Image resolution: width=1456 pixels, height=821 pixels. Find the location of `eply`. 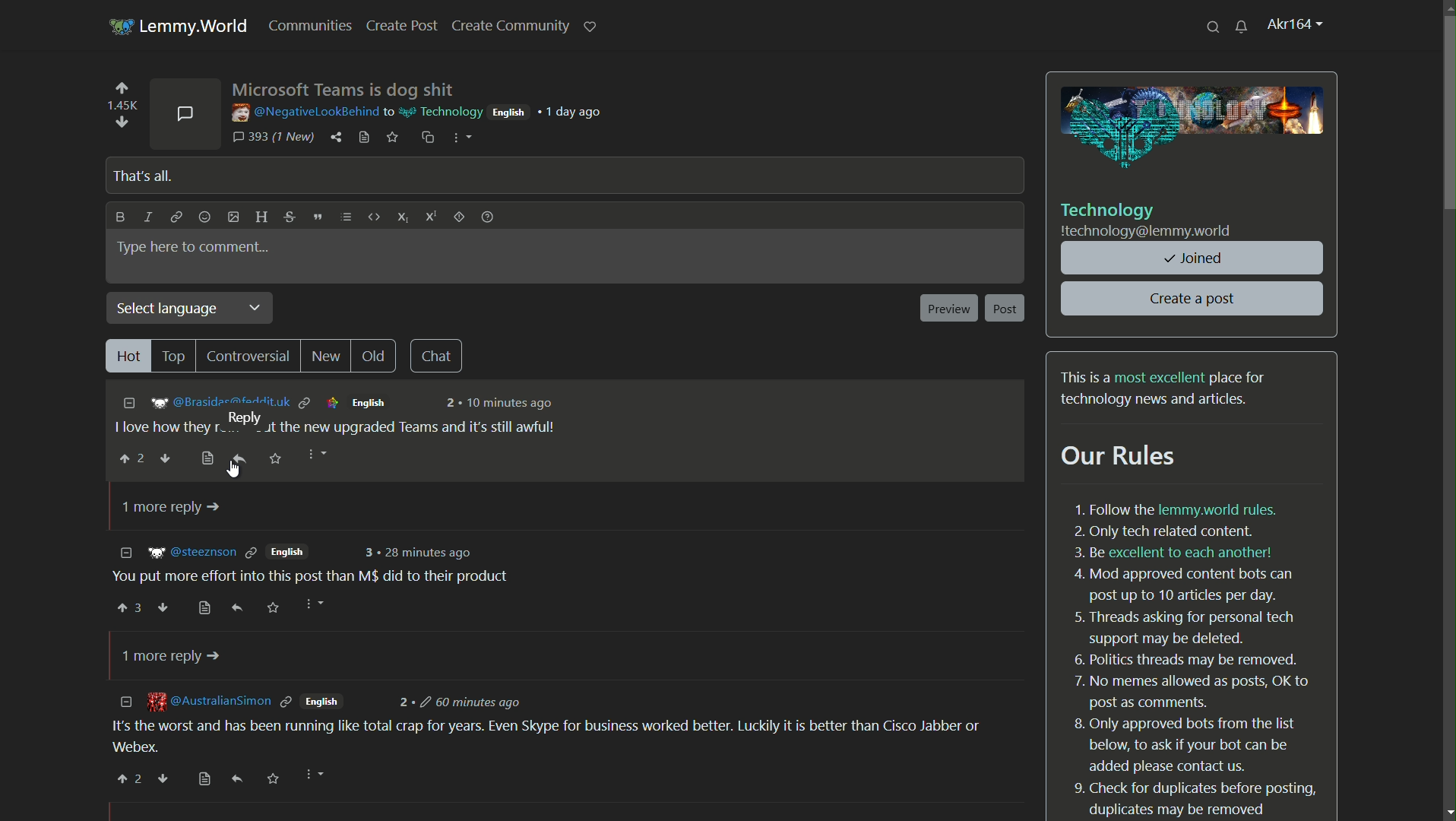

eply is located at coordinates (237, 779).